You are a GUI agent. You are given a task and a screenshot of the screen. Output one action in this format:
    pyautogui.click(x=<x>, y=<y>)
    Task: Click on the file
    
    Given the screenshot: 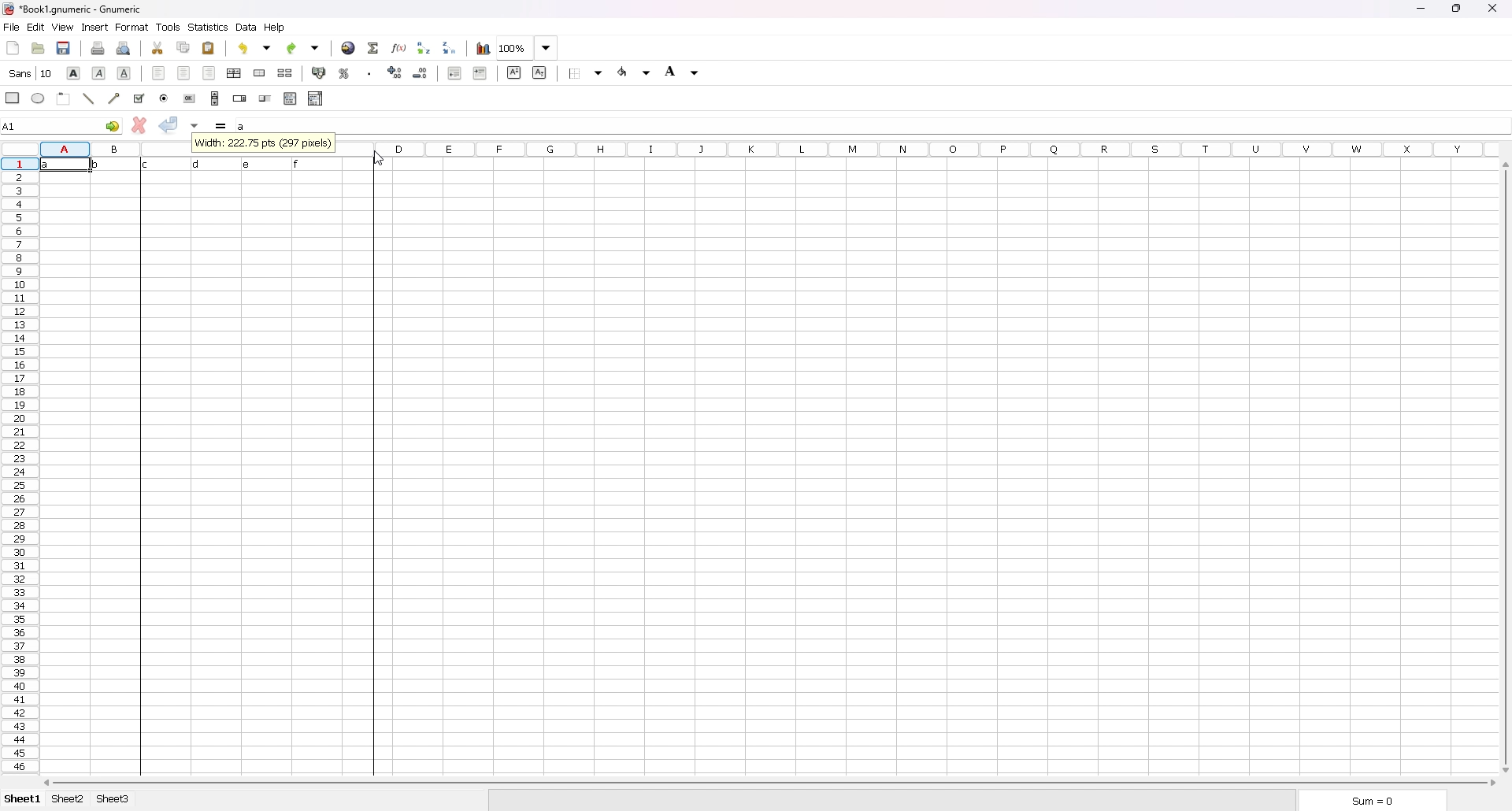 What is the action you would take?
    pyautogui.click(x=11, y=27)
    